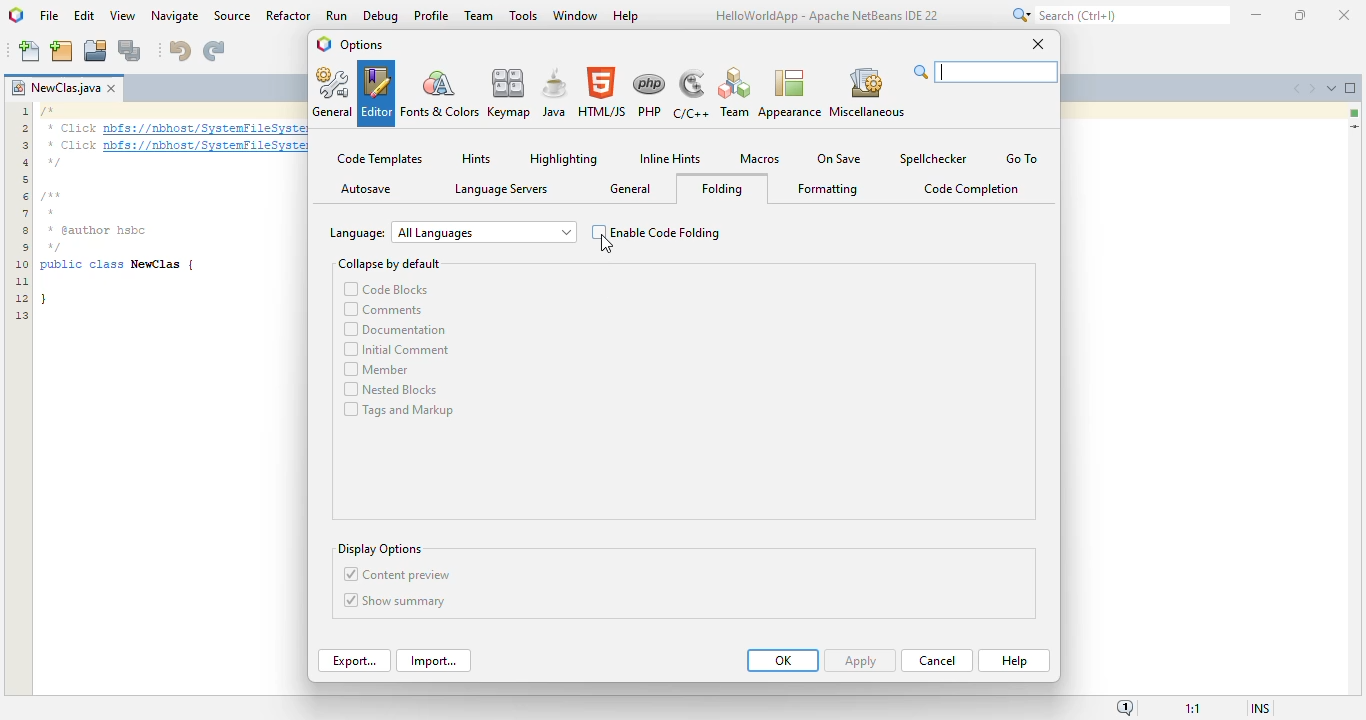 The width and height of the screenshot is (1366, 720). I want to click on text, so click(174, 158).